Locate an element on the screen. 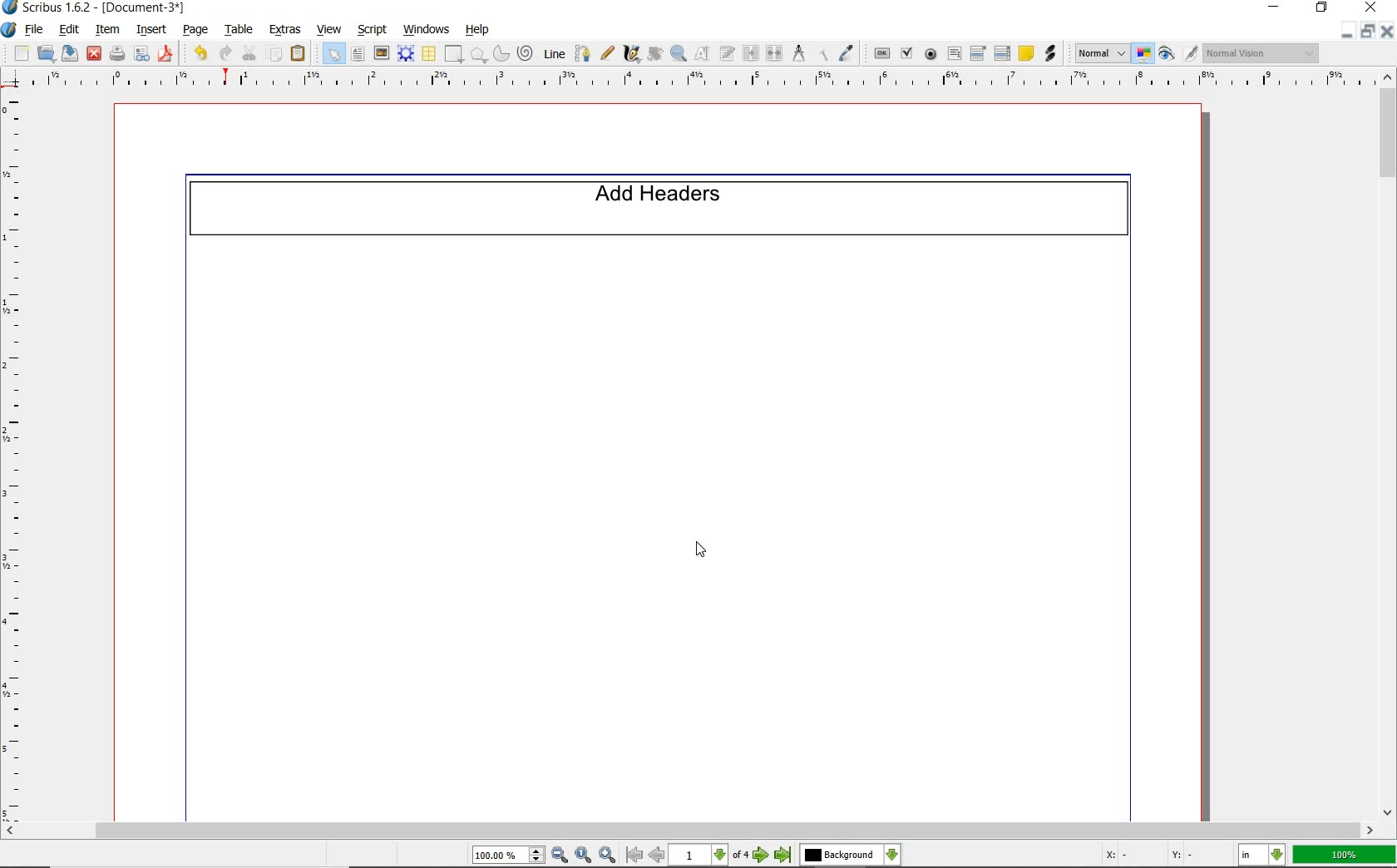 The width and height of the screenshot is (1397, 868). copy item properties is located at coordinates (822, 54).